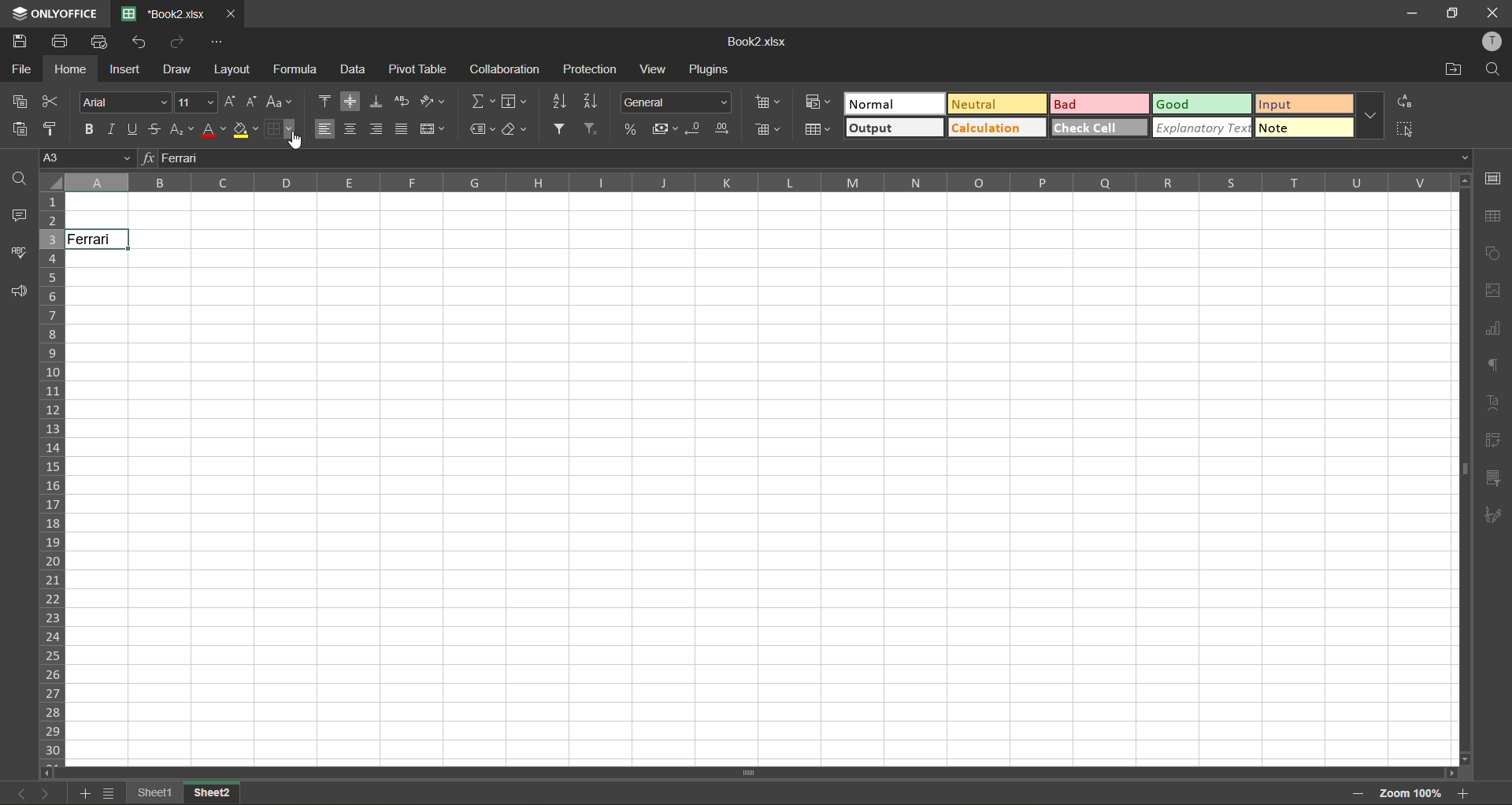 The image size is (1512, 805). What do you see at coordinates (108, 793) in the screenshot?
I see `sheet list` at bounding box center [108, 793].